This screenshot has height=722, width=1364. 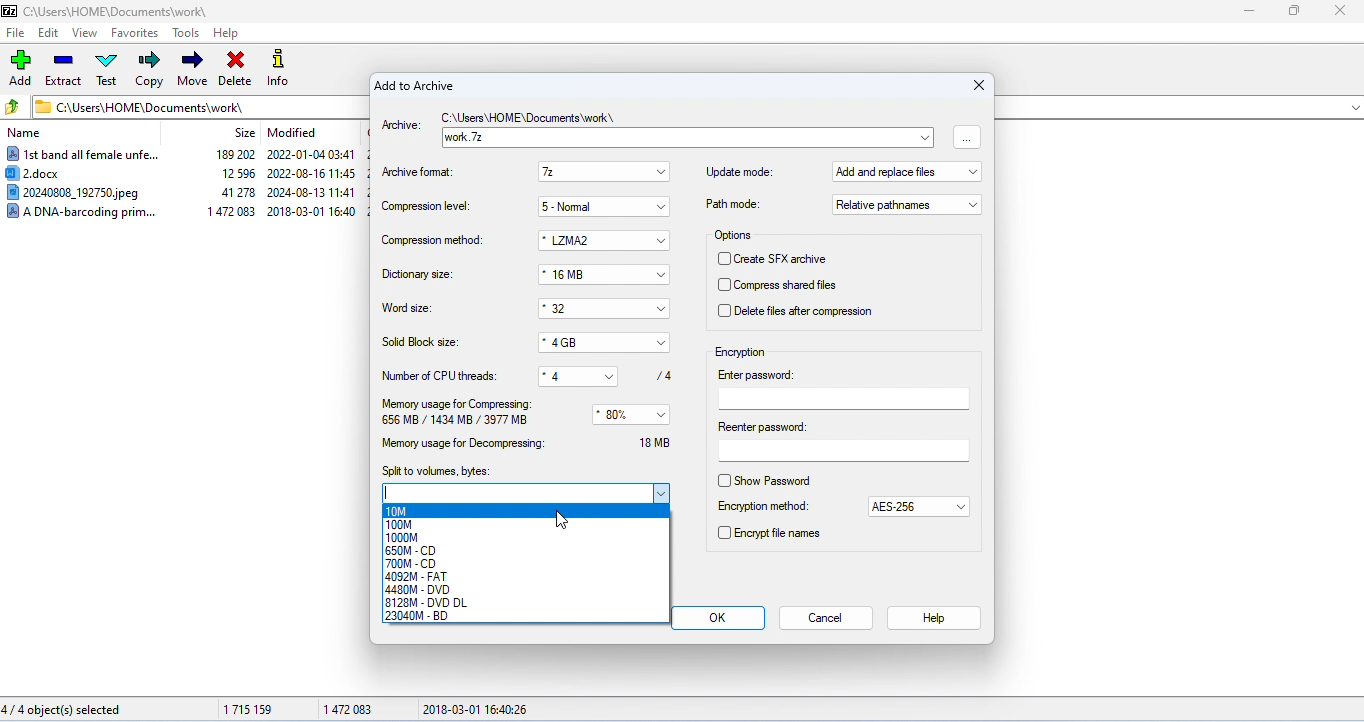 What do you see at coordinates (974, 86) in the screenshot?
I see `close` at bounding box center [974, 86].